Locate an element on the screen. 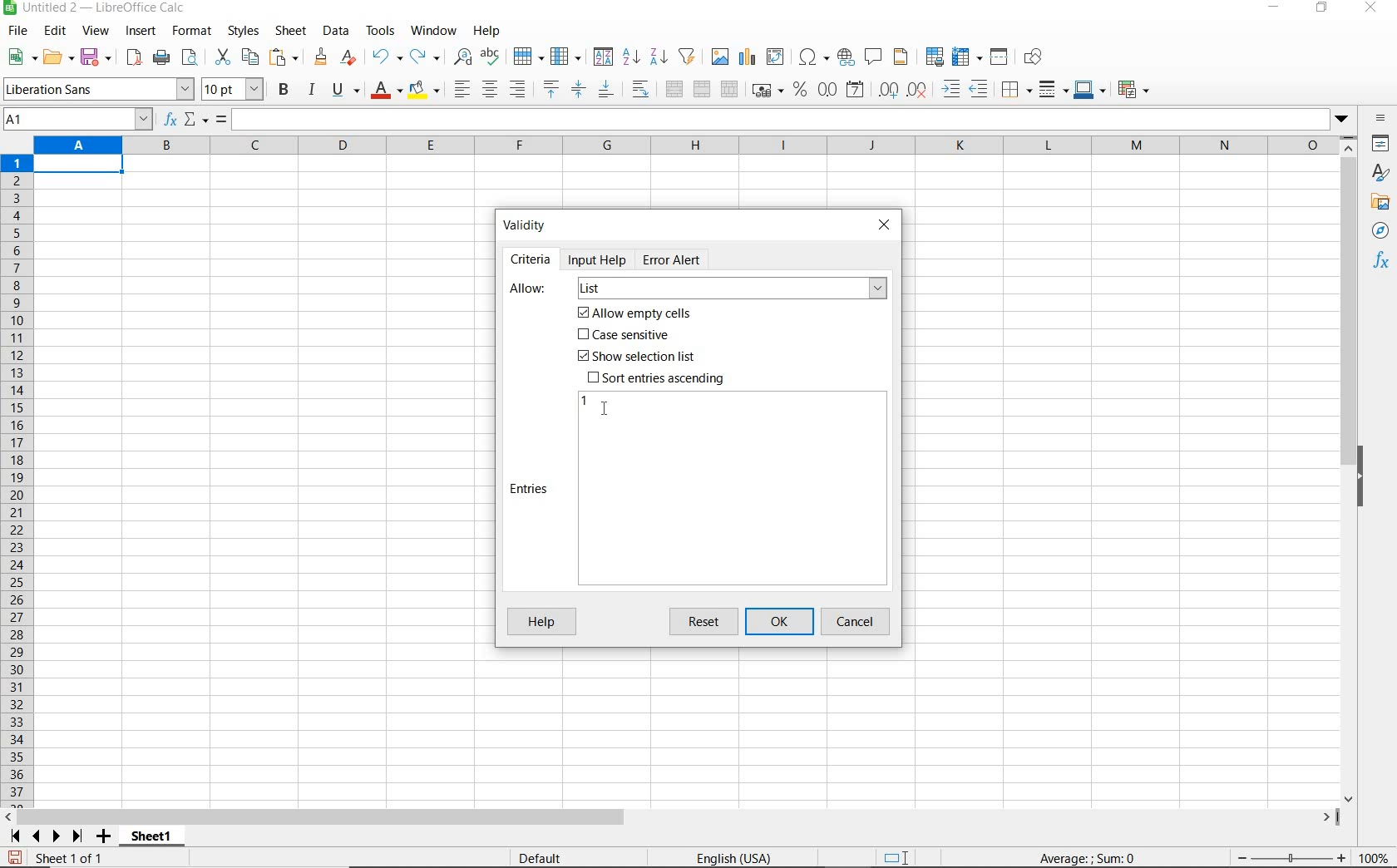 The image size is (1397, 868). insert or edit pivot table is located at coordinates (777, 57).